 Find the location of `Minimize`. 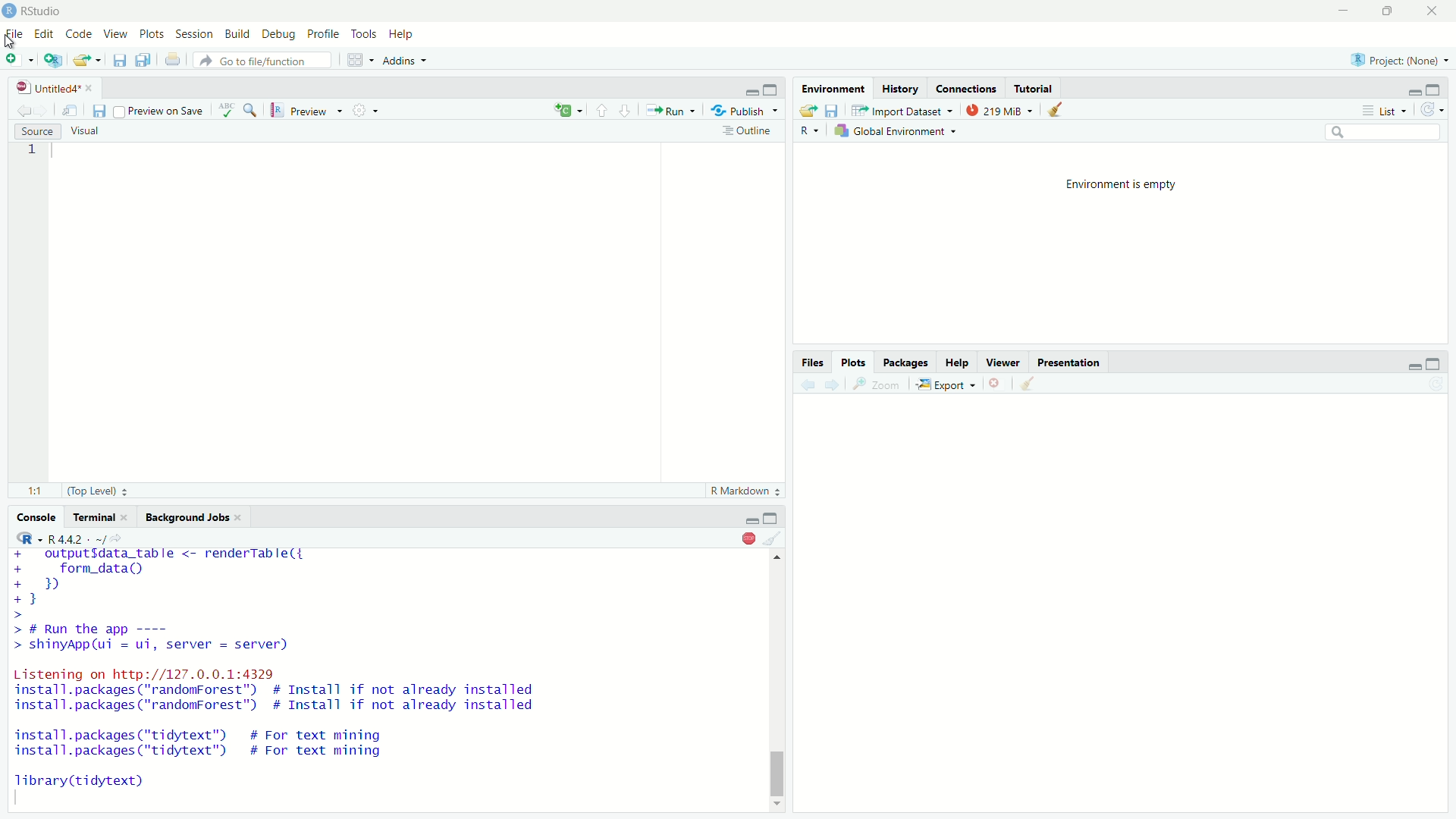

Minimize is located at coordinates (1415, 87).